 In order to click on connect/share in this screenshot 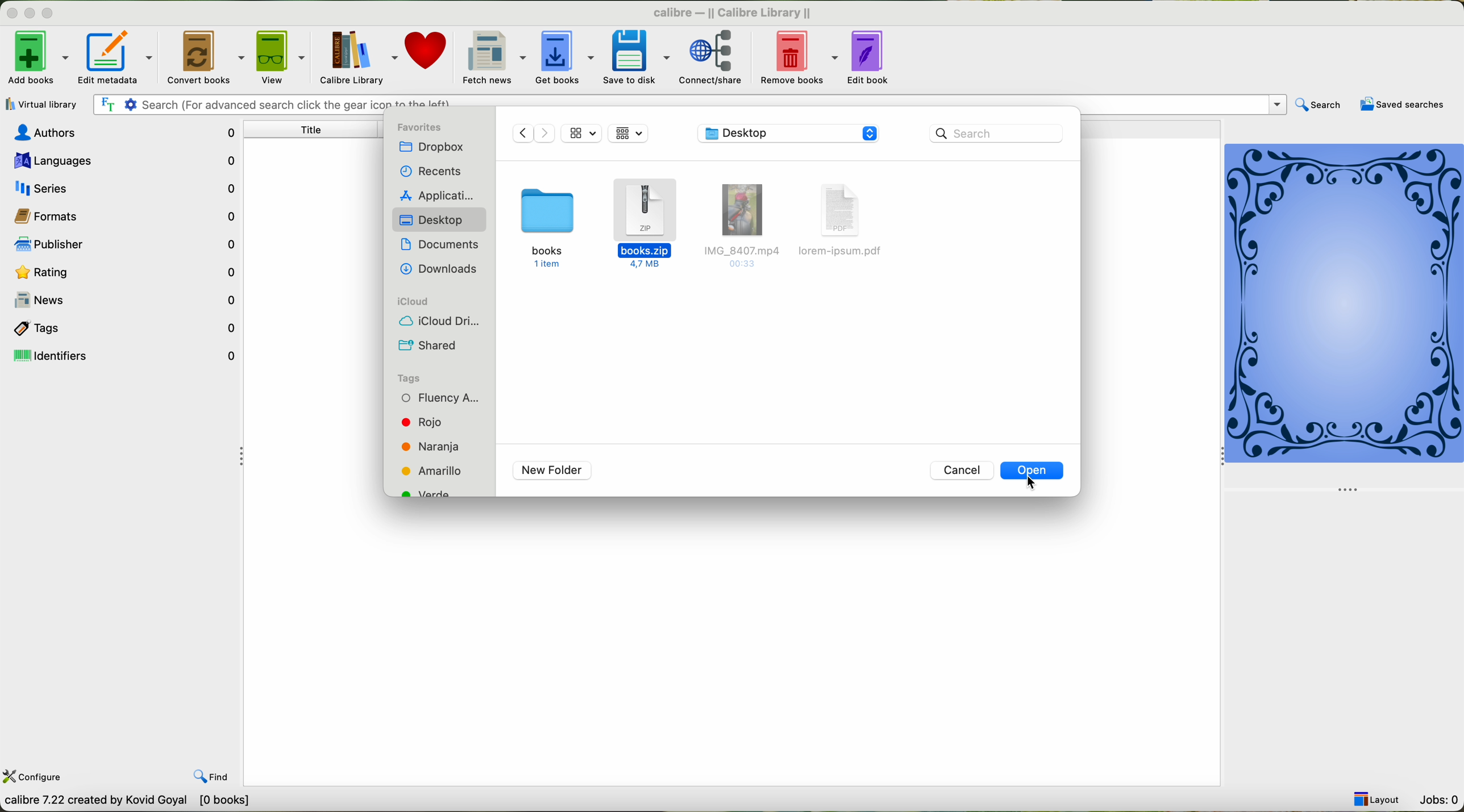, I will do `click(716, 60)`.